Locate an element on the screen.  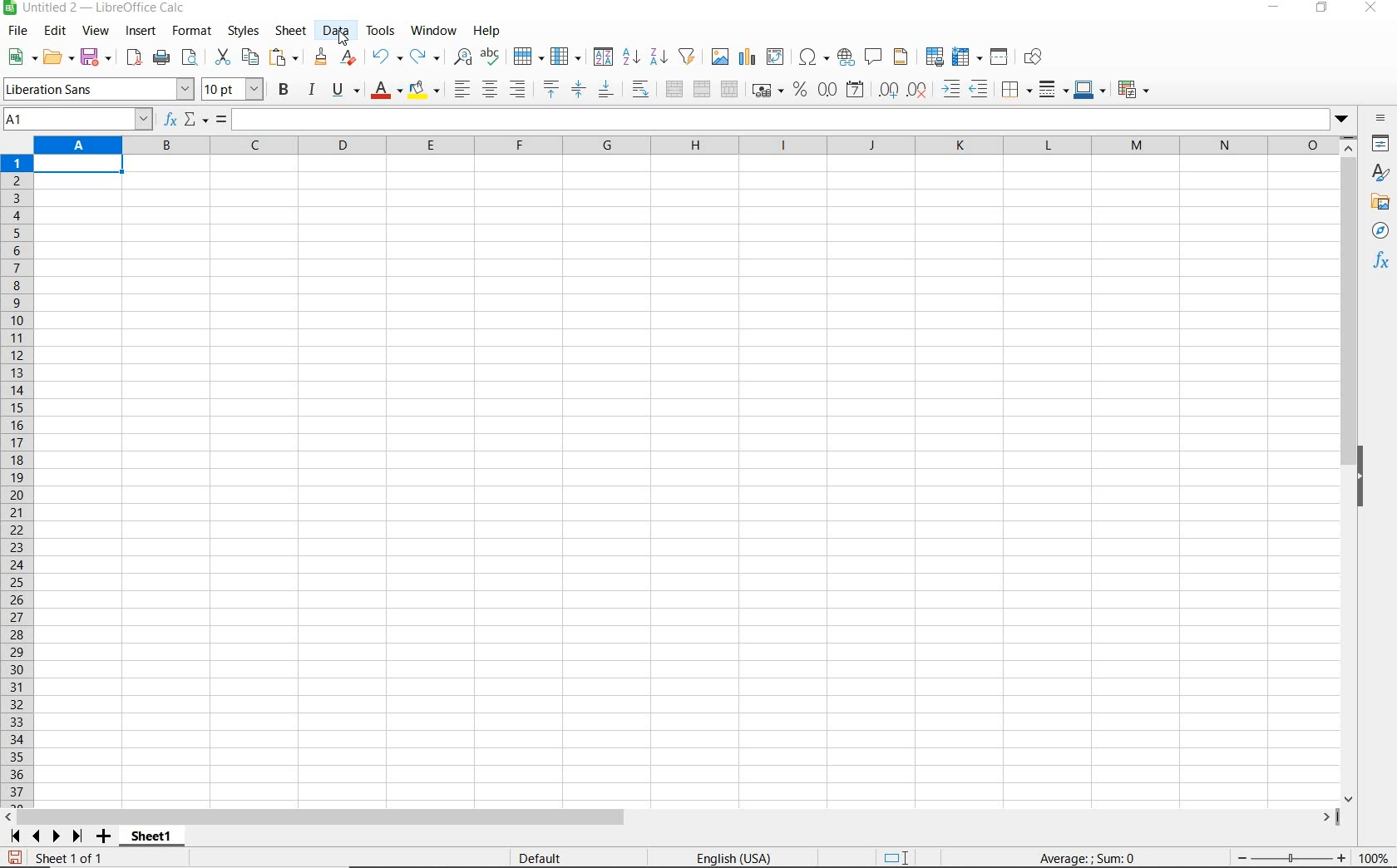
properties is located at coordinates (1382, 145).